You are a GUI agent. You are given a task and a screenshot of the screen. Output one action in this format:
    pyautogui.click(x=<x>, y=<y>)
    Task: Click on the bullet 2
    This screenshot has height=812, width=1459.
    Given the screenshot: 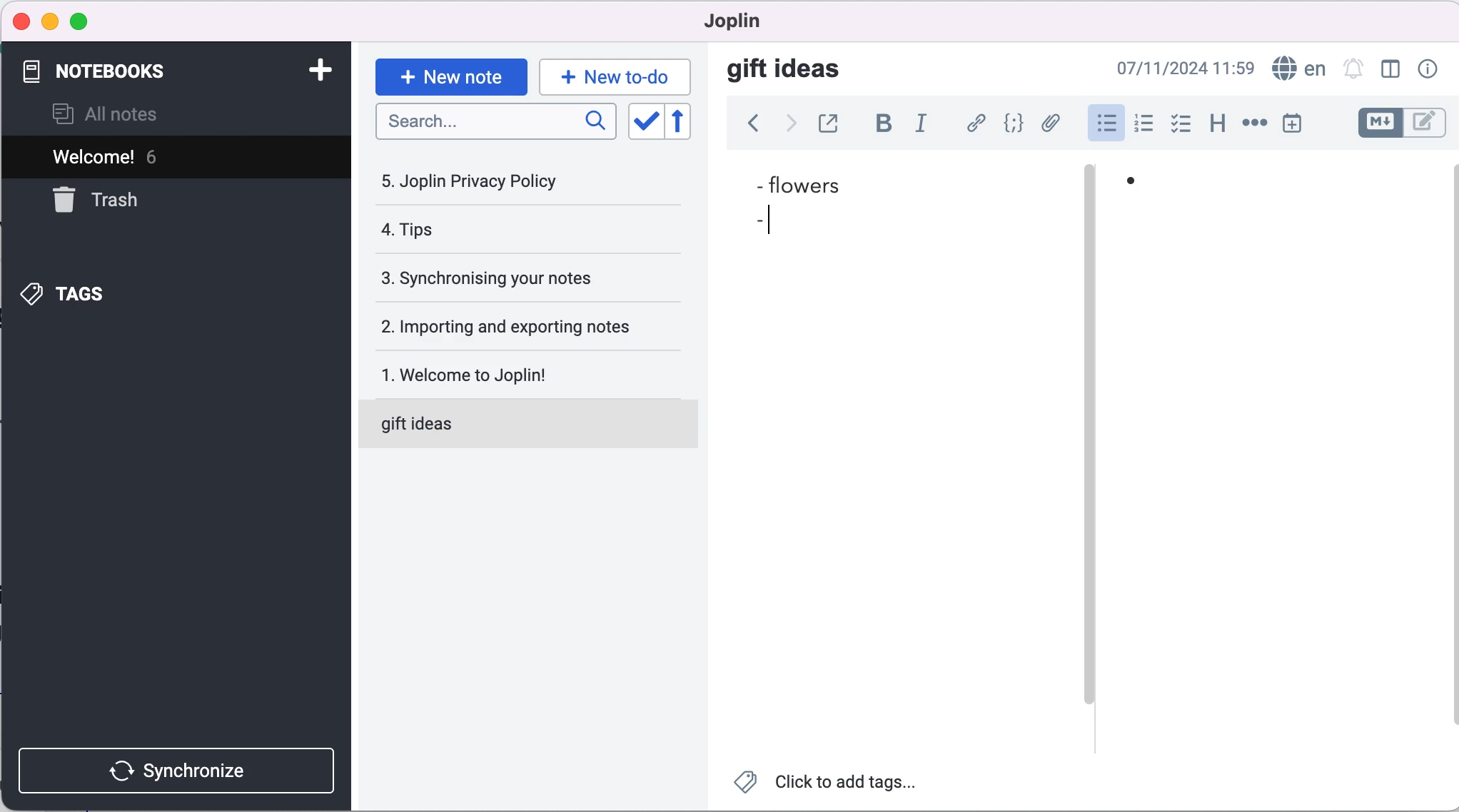 What is the action you would take?
    pyautogui.click(x=766, y=227)
    